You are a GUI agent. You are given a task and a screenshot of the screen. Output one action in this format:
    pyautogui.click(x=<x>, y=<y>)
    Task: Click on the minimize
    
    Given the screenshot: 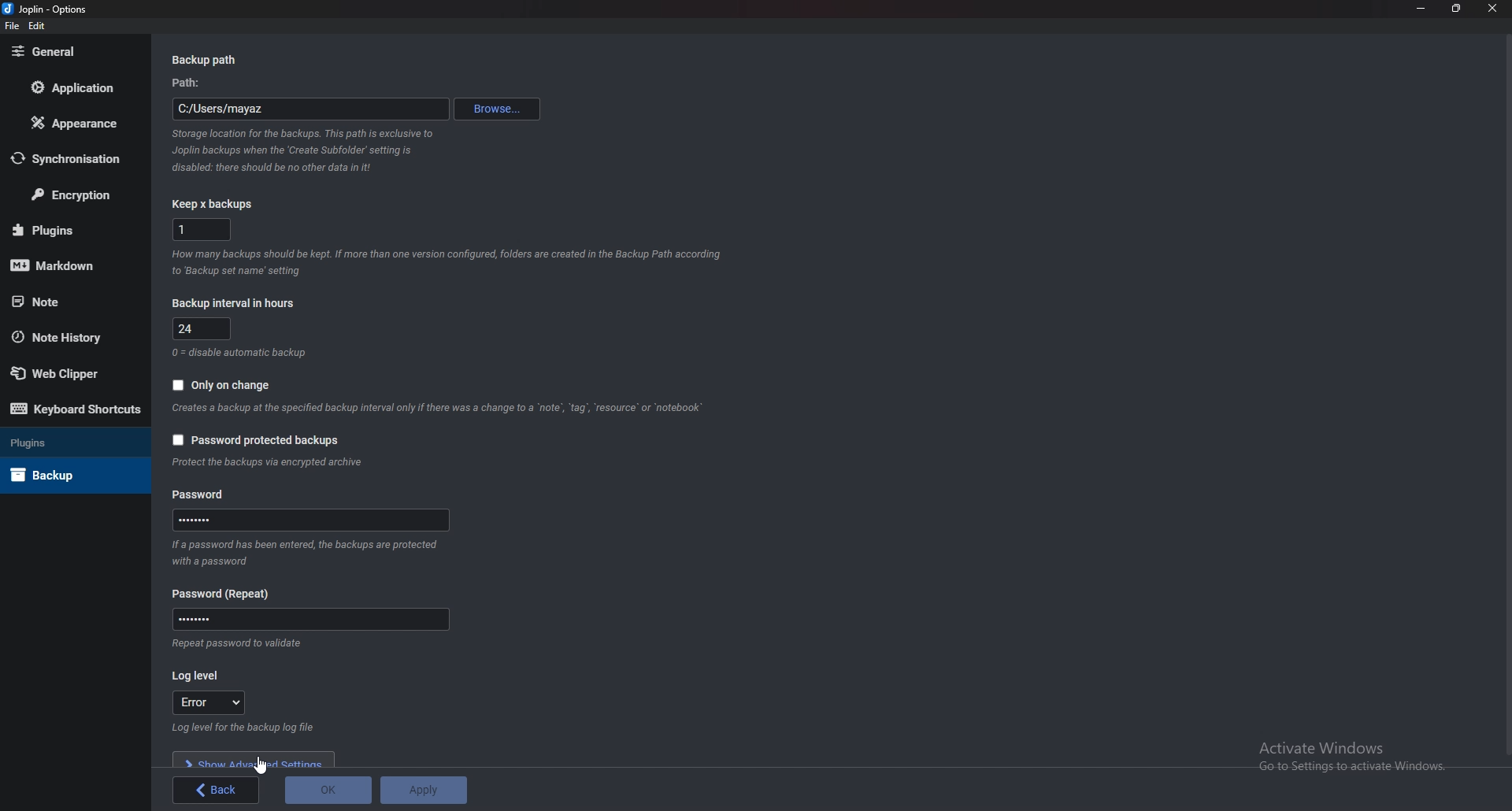 What is the action you would take?
    pyautogui.click(x=1421, y=8)
    